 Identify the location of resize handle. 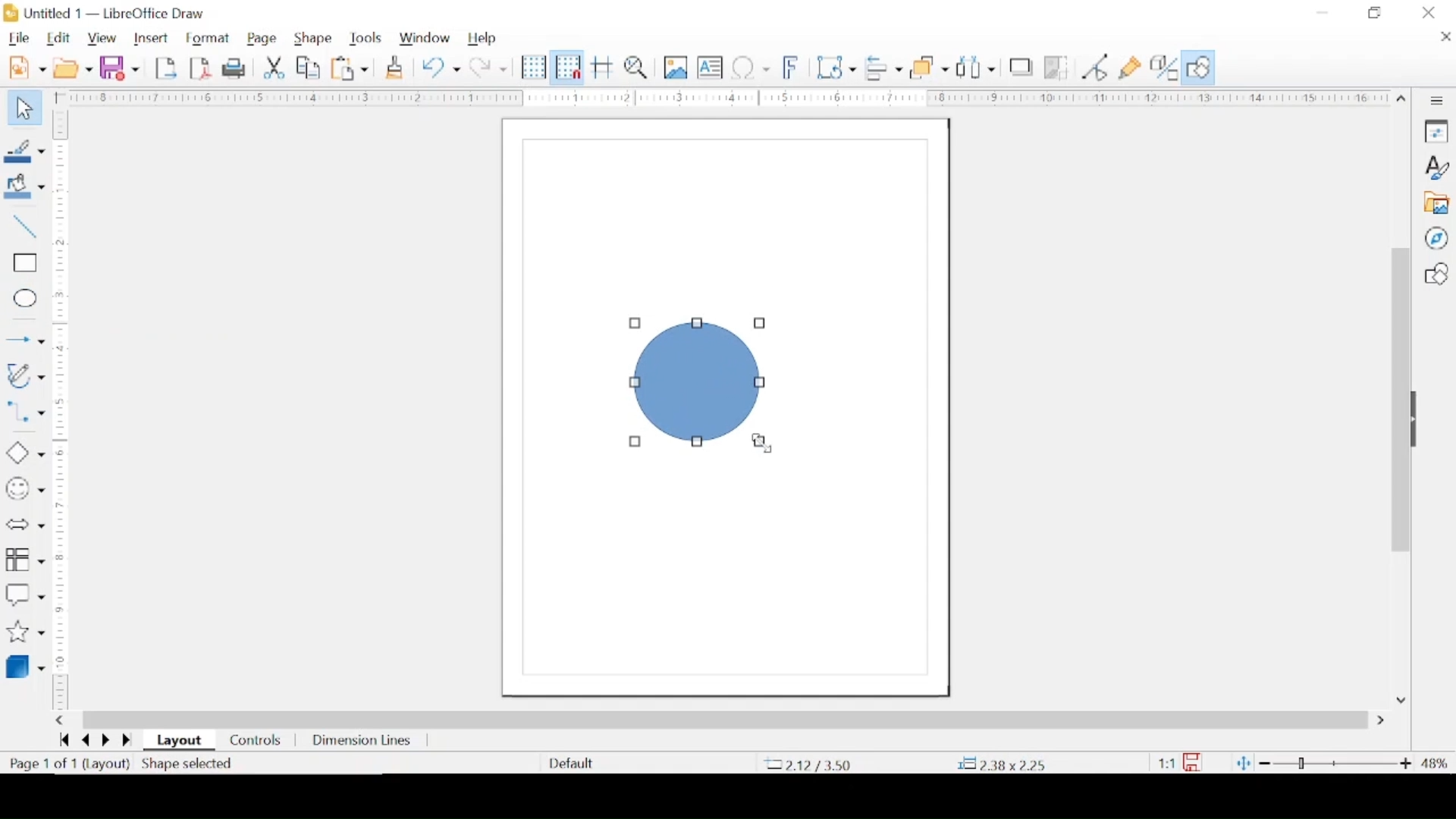
(636, 442).